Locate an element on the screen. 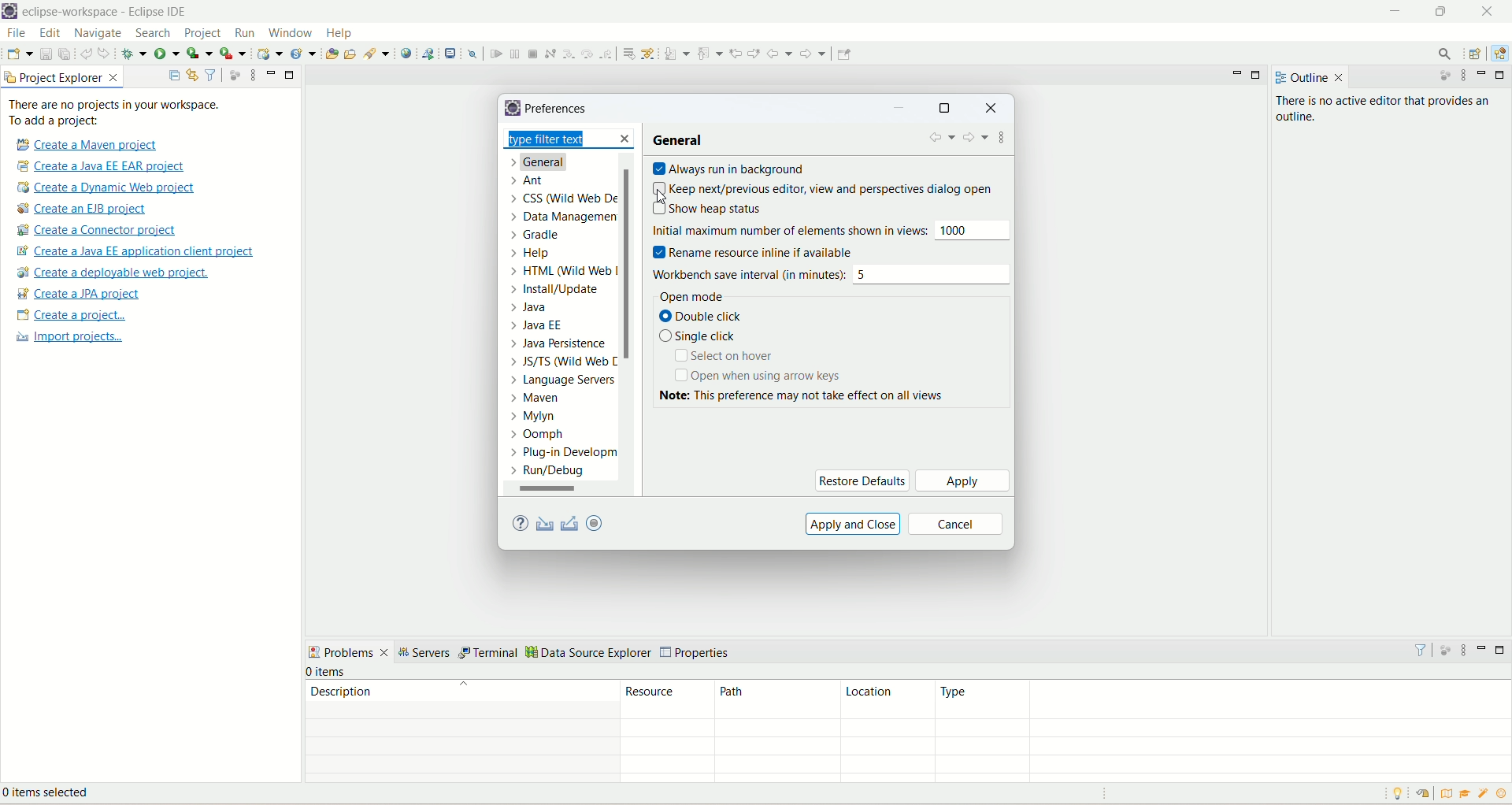  resources is located at coordinates (668, 699).